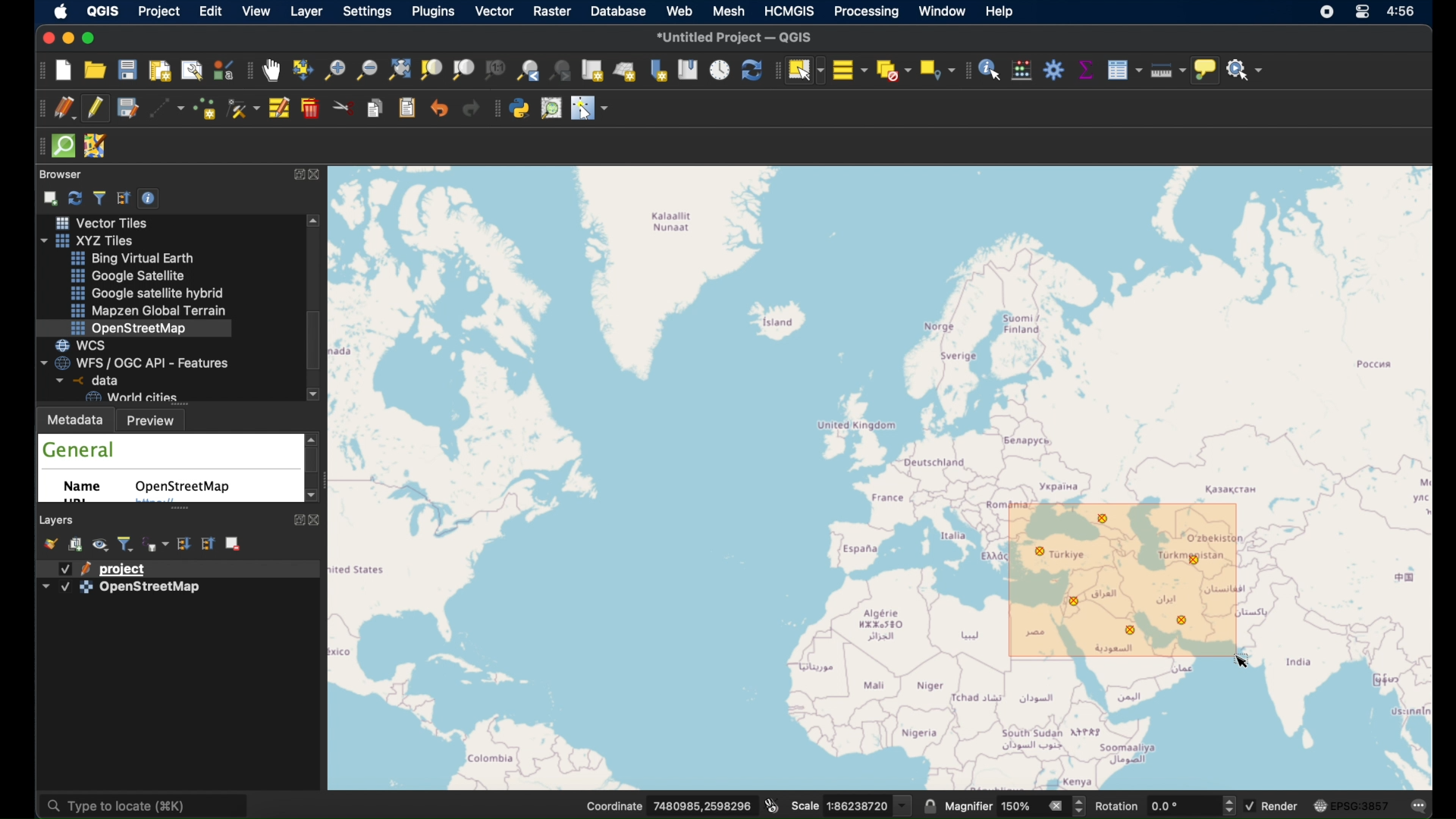 This screenshot has width=1456, height=819. I want to click on remove layer/group, so click(235, 544).